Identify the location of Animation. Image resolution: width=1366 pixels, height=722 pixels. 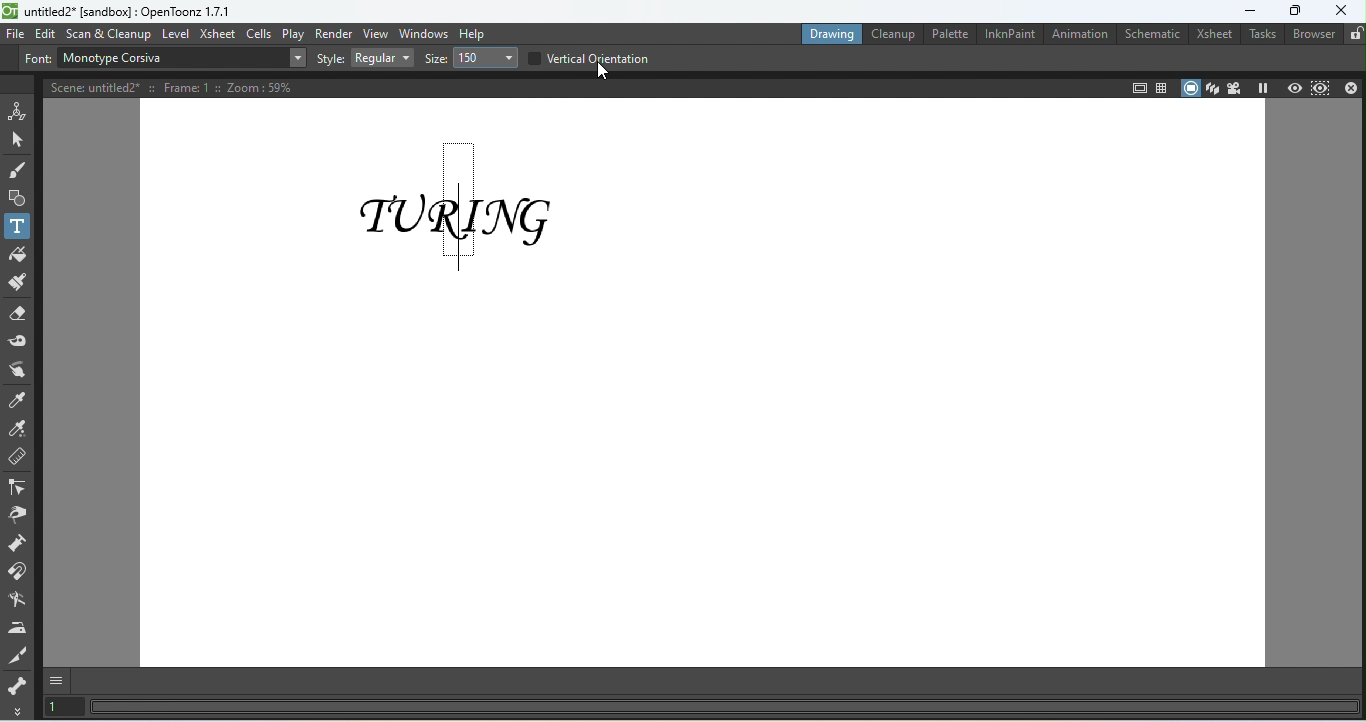
(1079, 35).